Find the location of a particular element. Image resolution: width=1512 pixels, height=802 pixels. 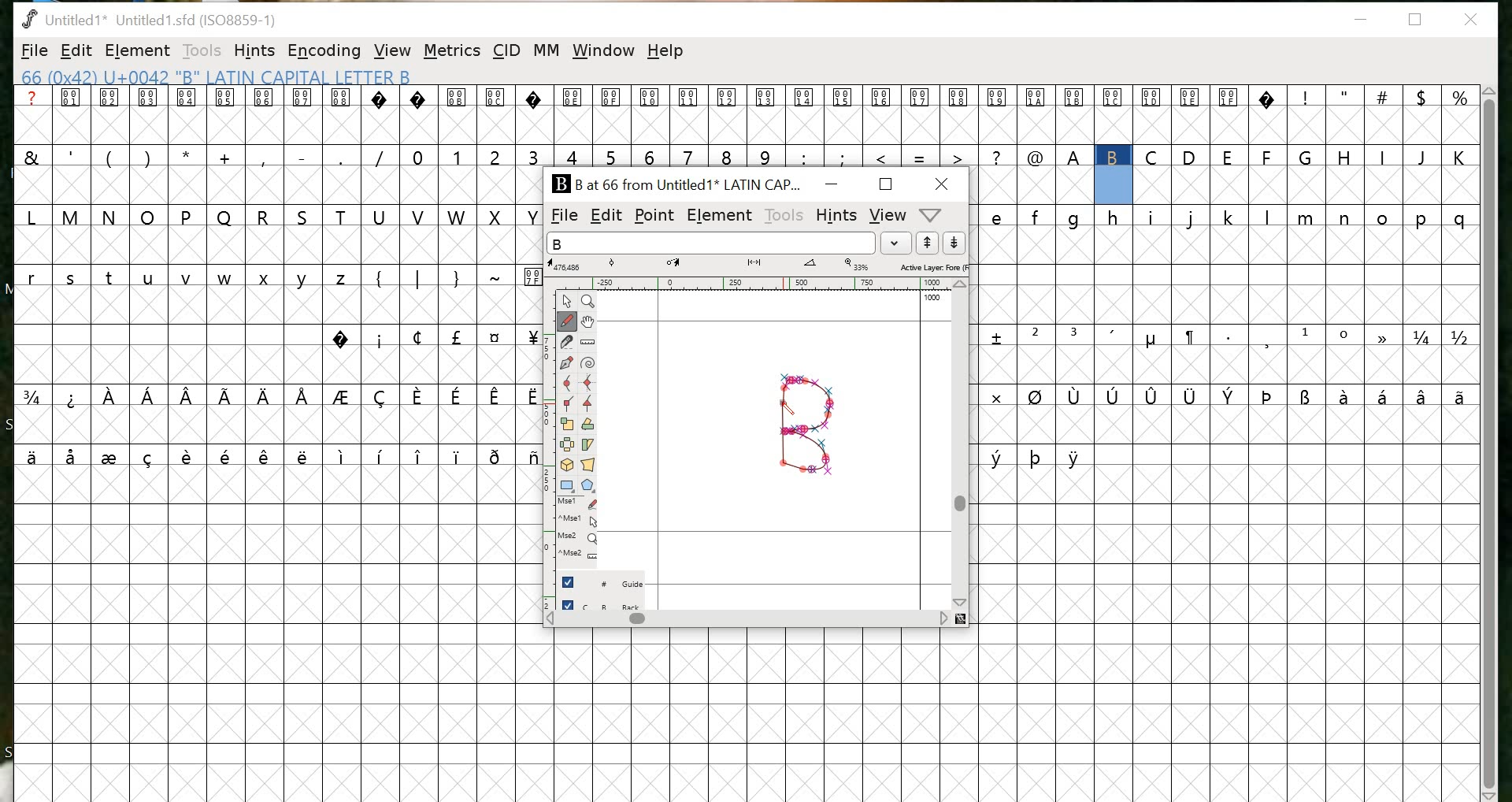

ruler is located at coordinates (547, 454).